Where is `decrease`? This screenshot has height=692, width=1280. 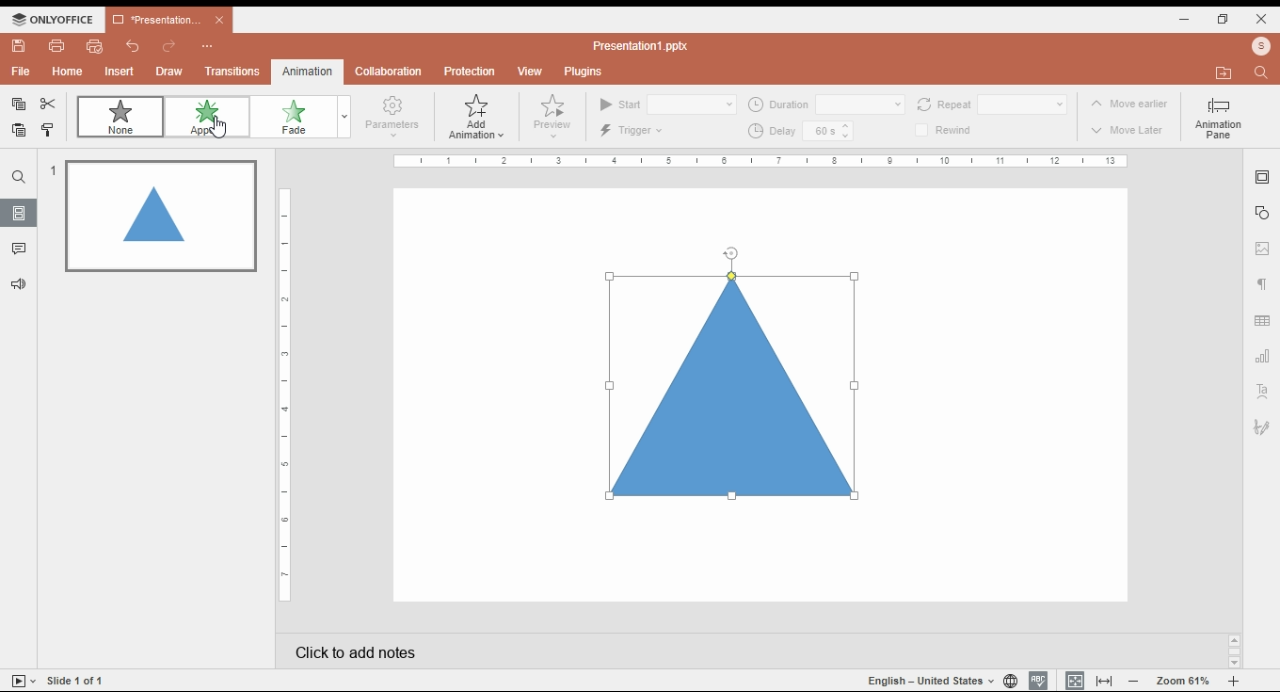
decrease is located at coordinates (847, 137).